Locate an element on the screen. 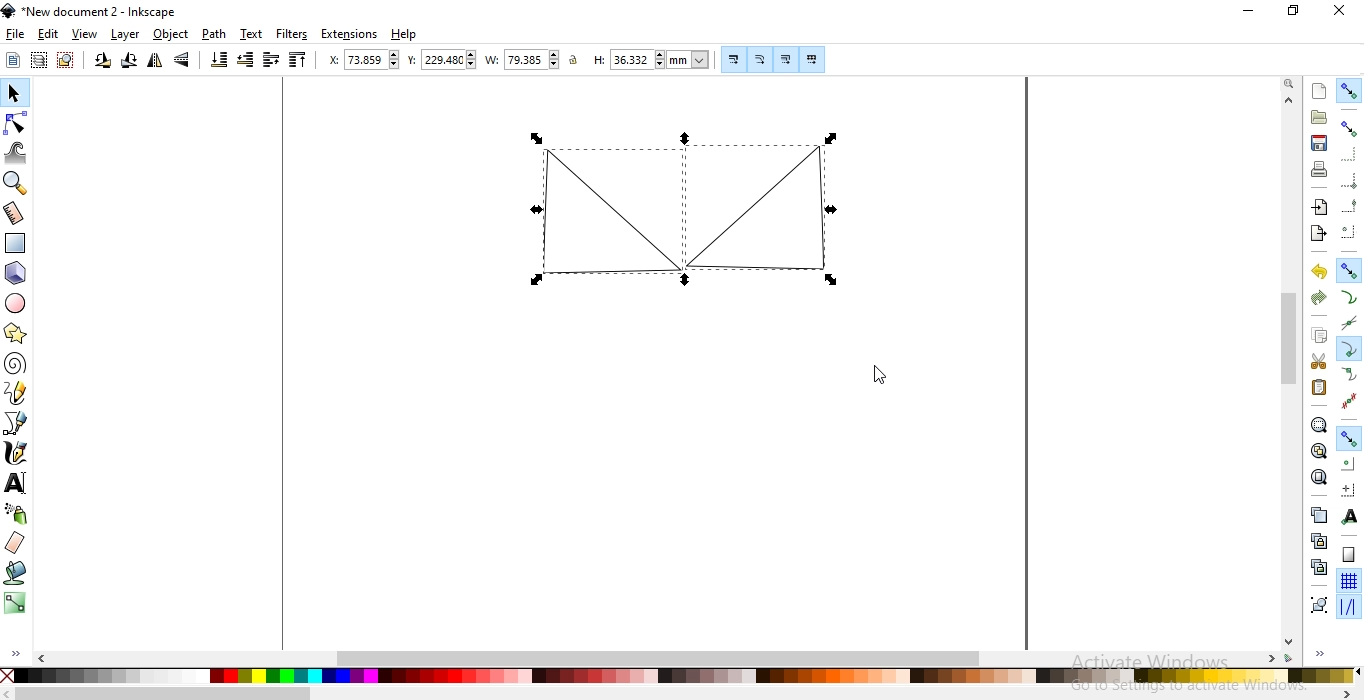  rotate 90 clockwise is located at coordinates (130, 61).